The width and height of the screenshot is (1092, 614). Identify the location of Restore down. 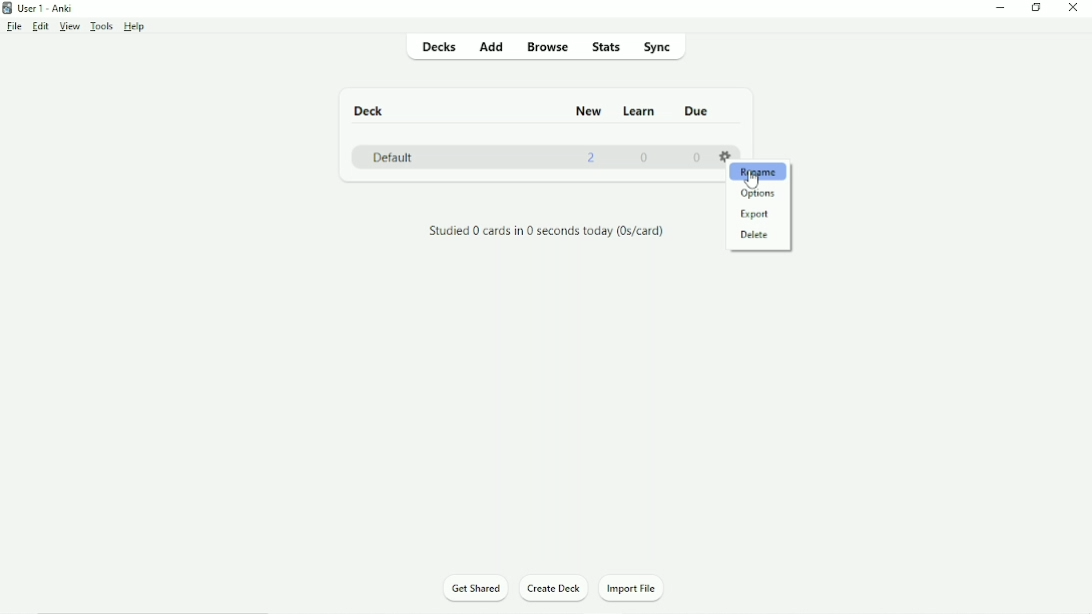
(1037, 8).